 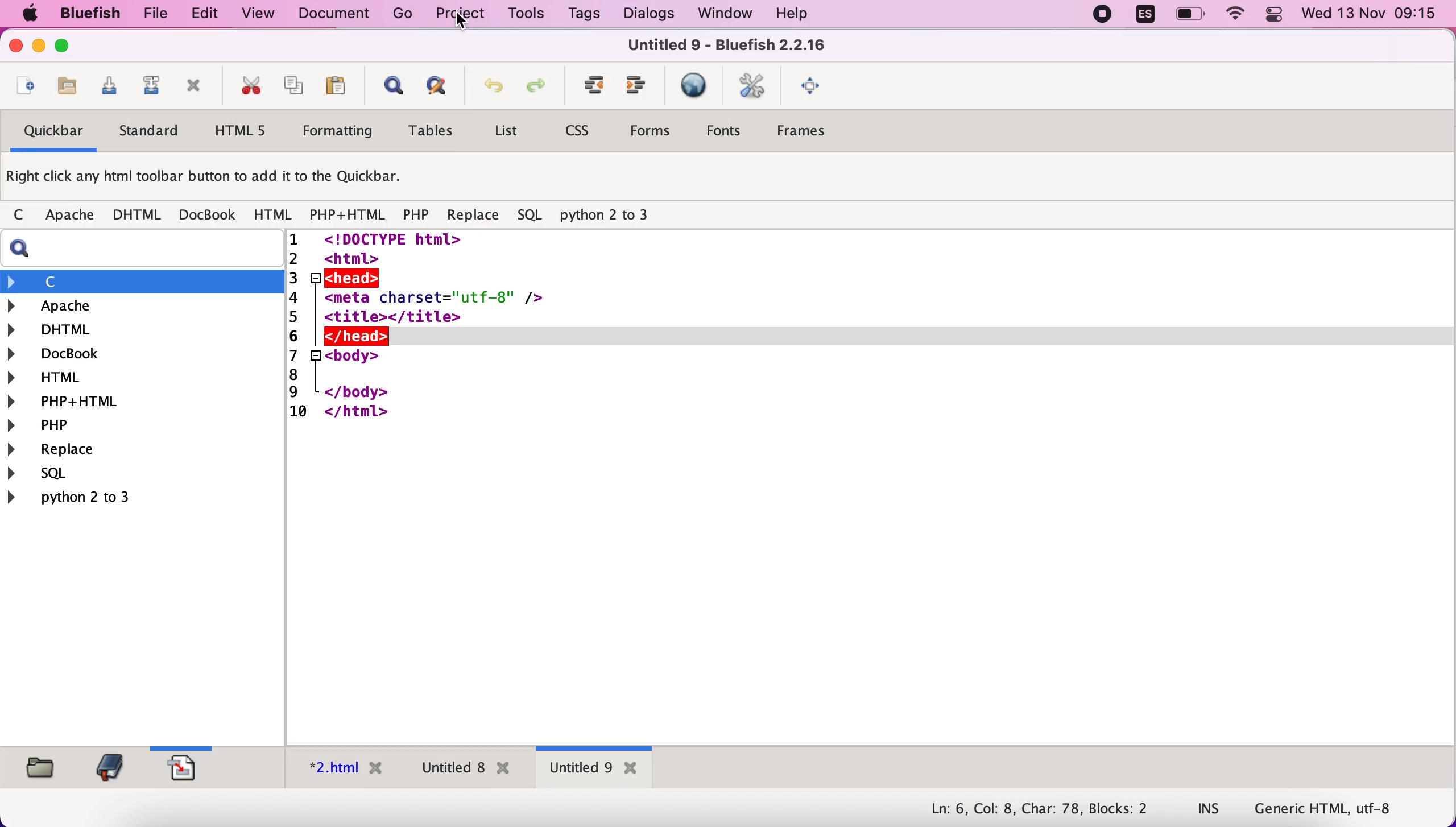 I want to click on edit, so click(x=199, y=14).